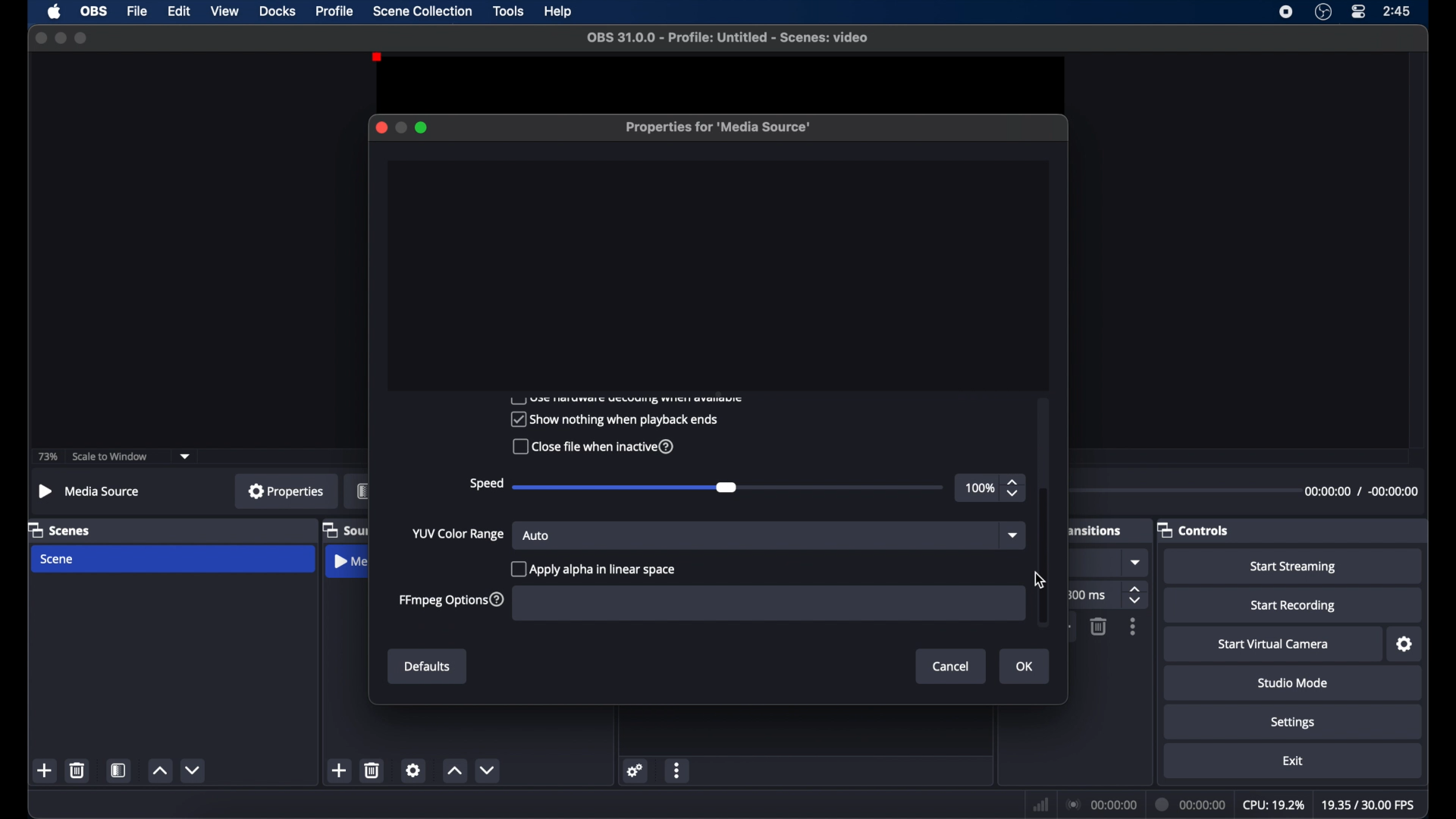 This screenshot has height=819, width=1456. I want to click on properties, so click(286, 491).